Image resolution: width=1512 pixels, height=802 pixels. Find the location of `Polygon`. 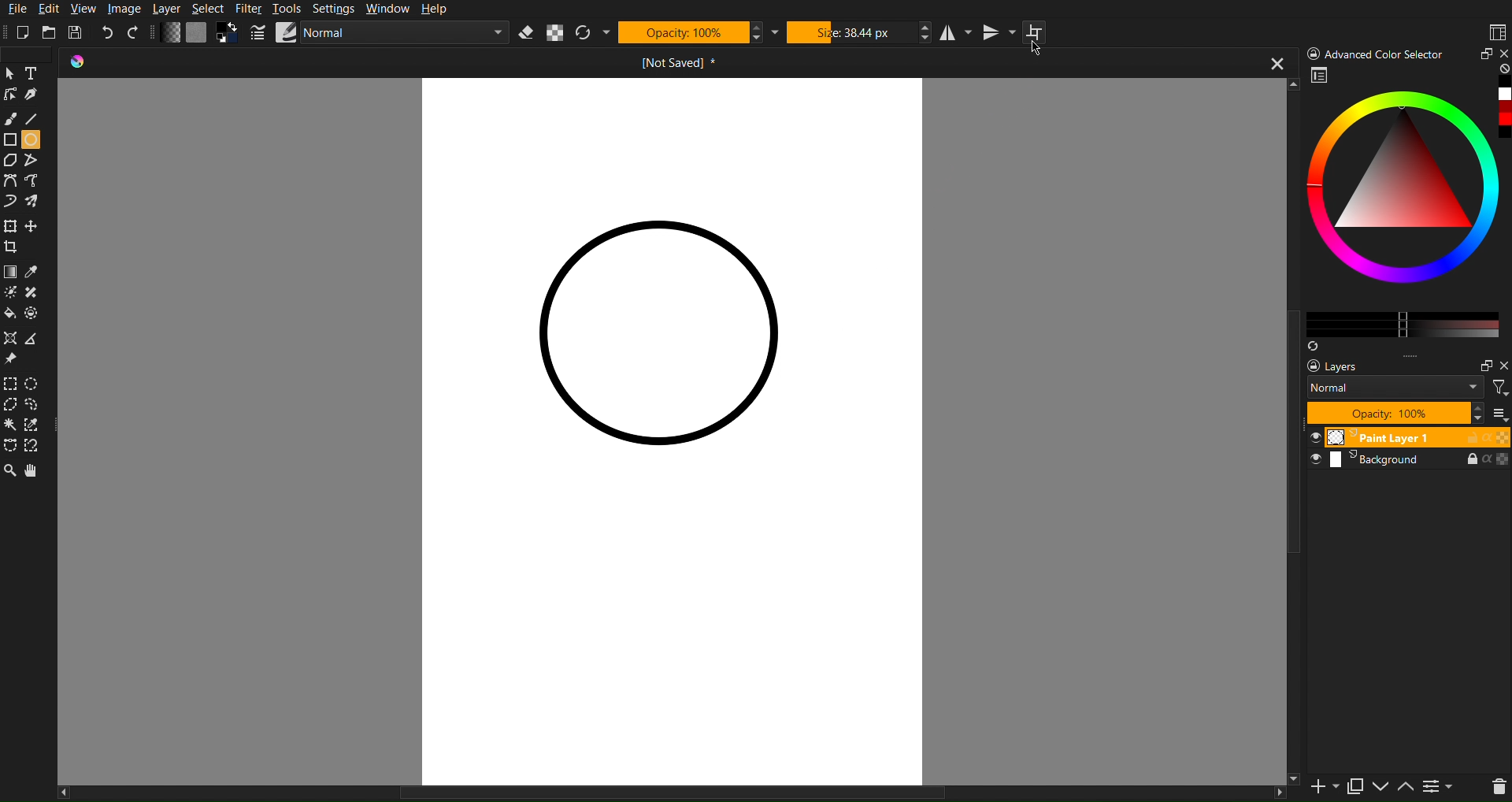

Polygon is located at coordinates (9, 161).